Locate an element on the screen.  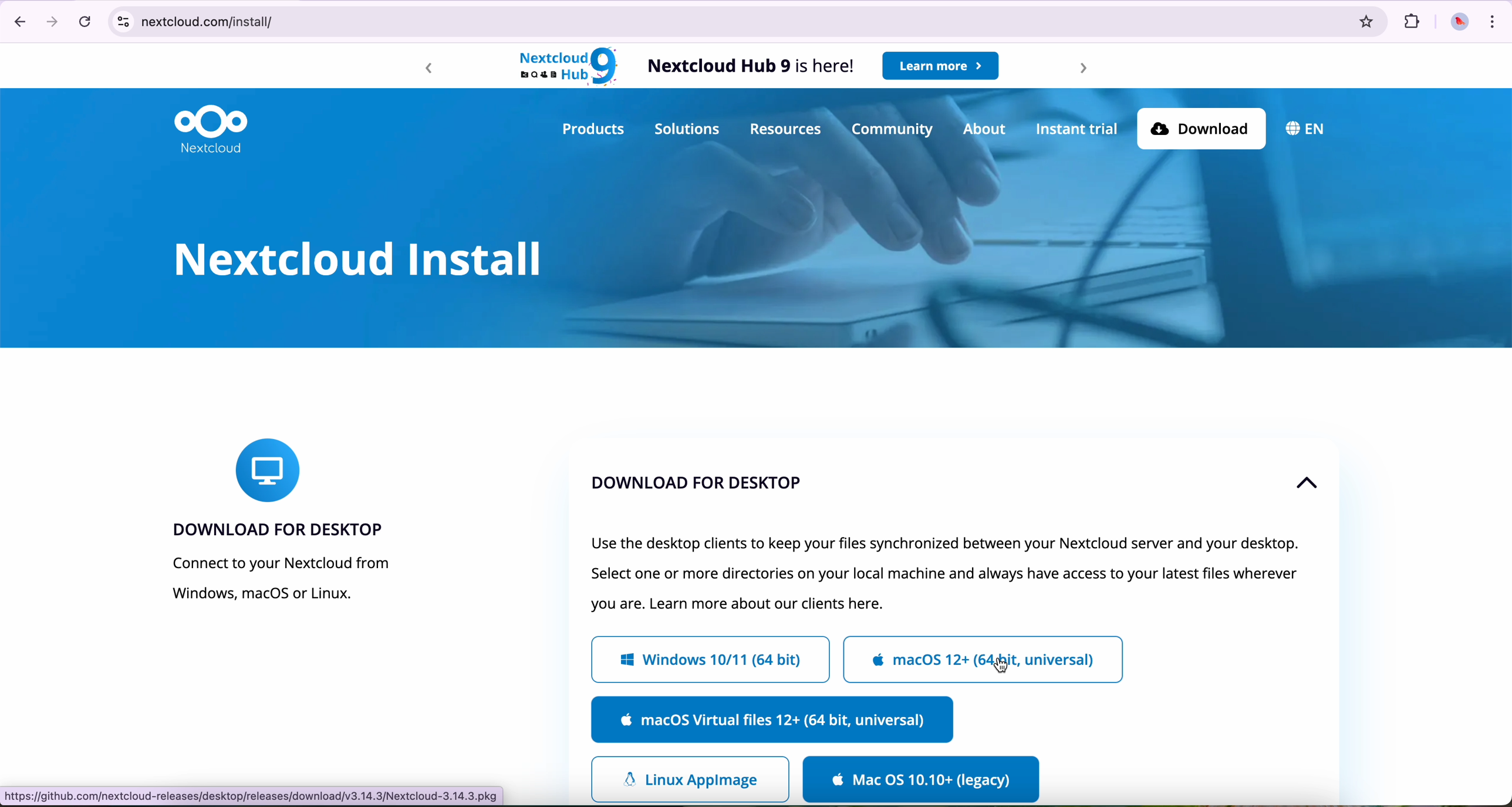
text of tab is located at coordinates (951, 572).